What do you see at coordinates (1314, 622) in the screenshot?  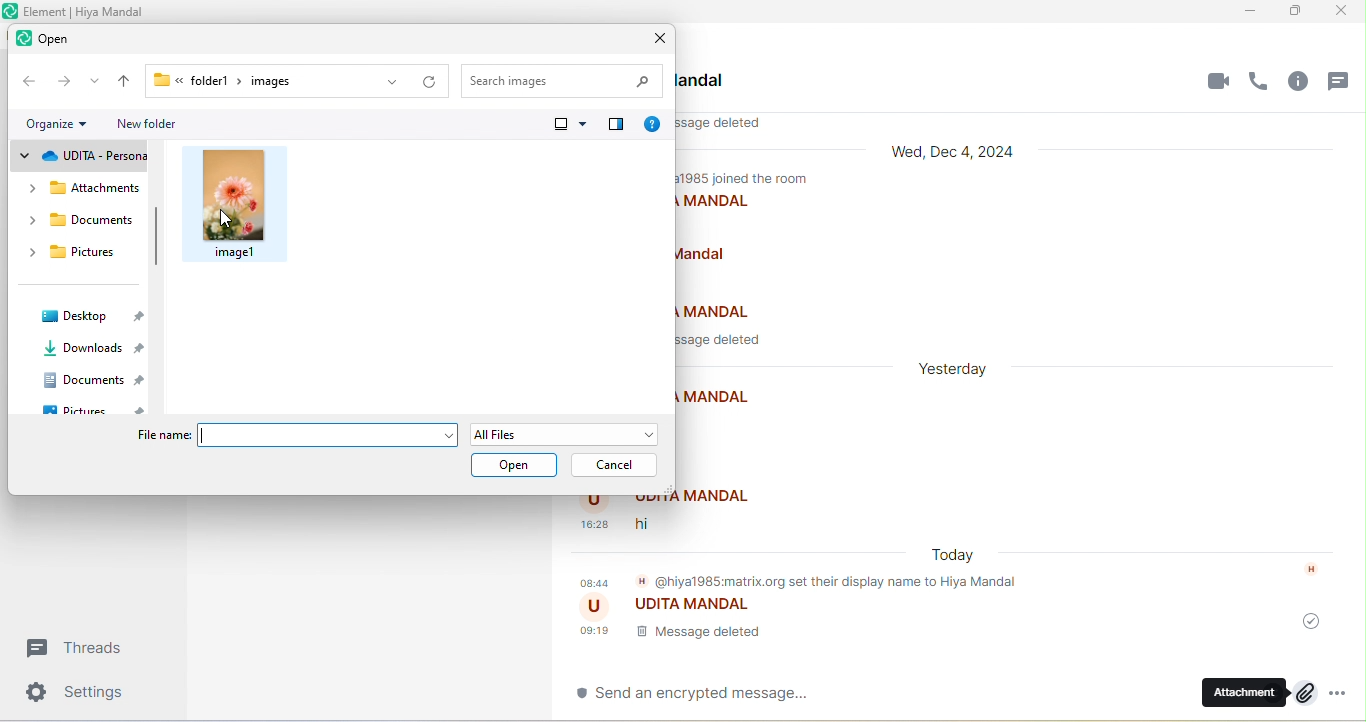 I see `message was sent` at bounding box center [1314, 622].